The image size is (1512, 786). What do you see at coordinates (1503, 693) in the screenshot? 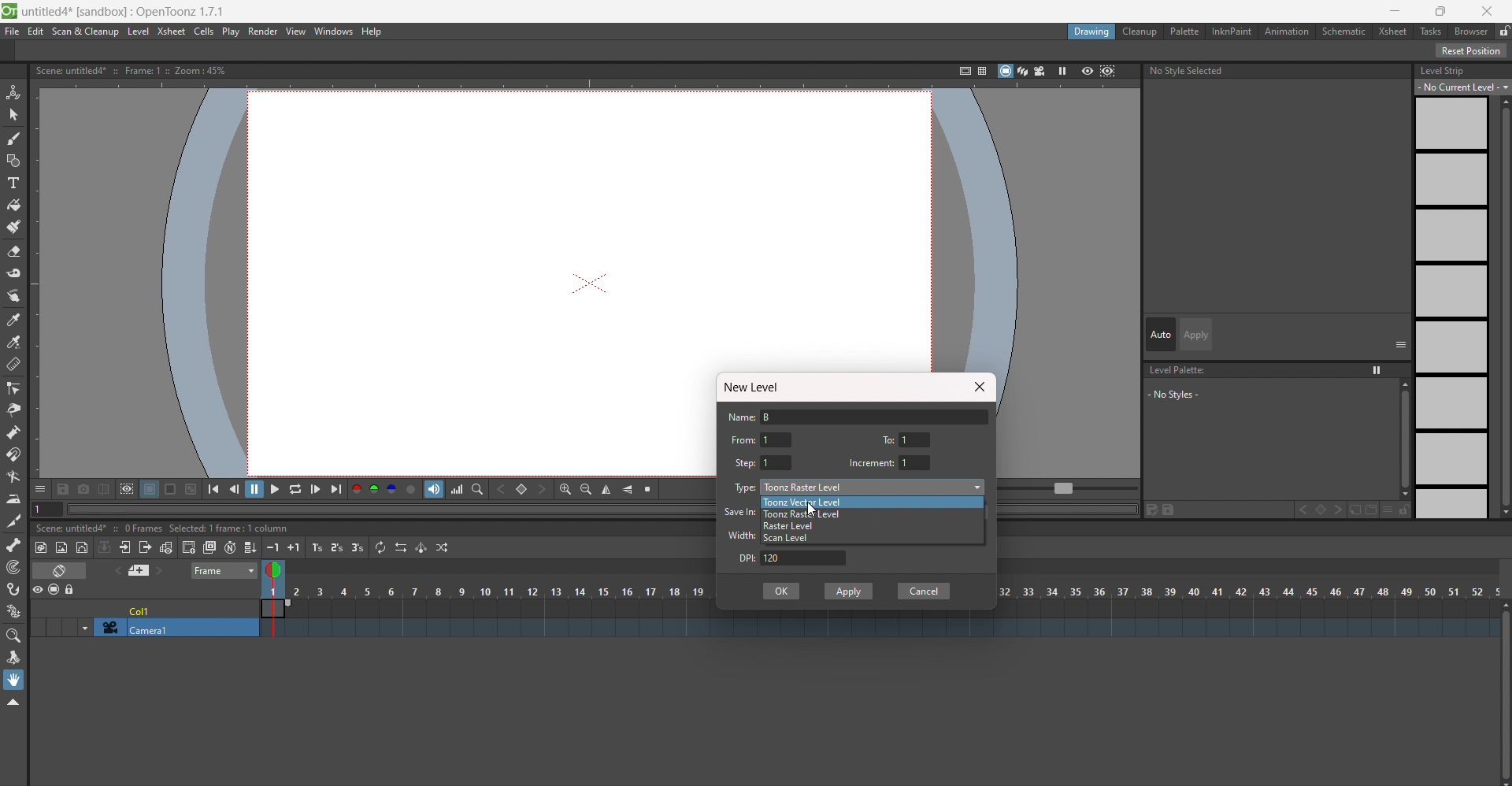
I see `Scroll bar` at bounding box center [1503, 693].